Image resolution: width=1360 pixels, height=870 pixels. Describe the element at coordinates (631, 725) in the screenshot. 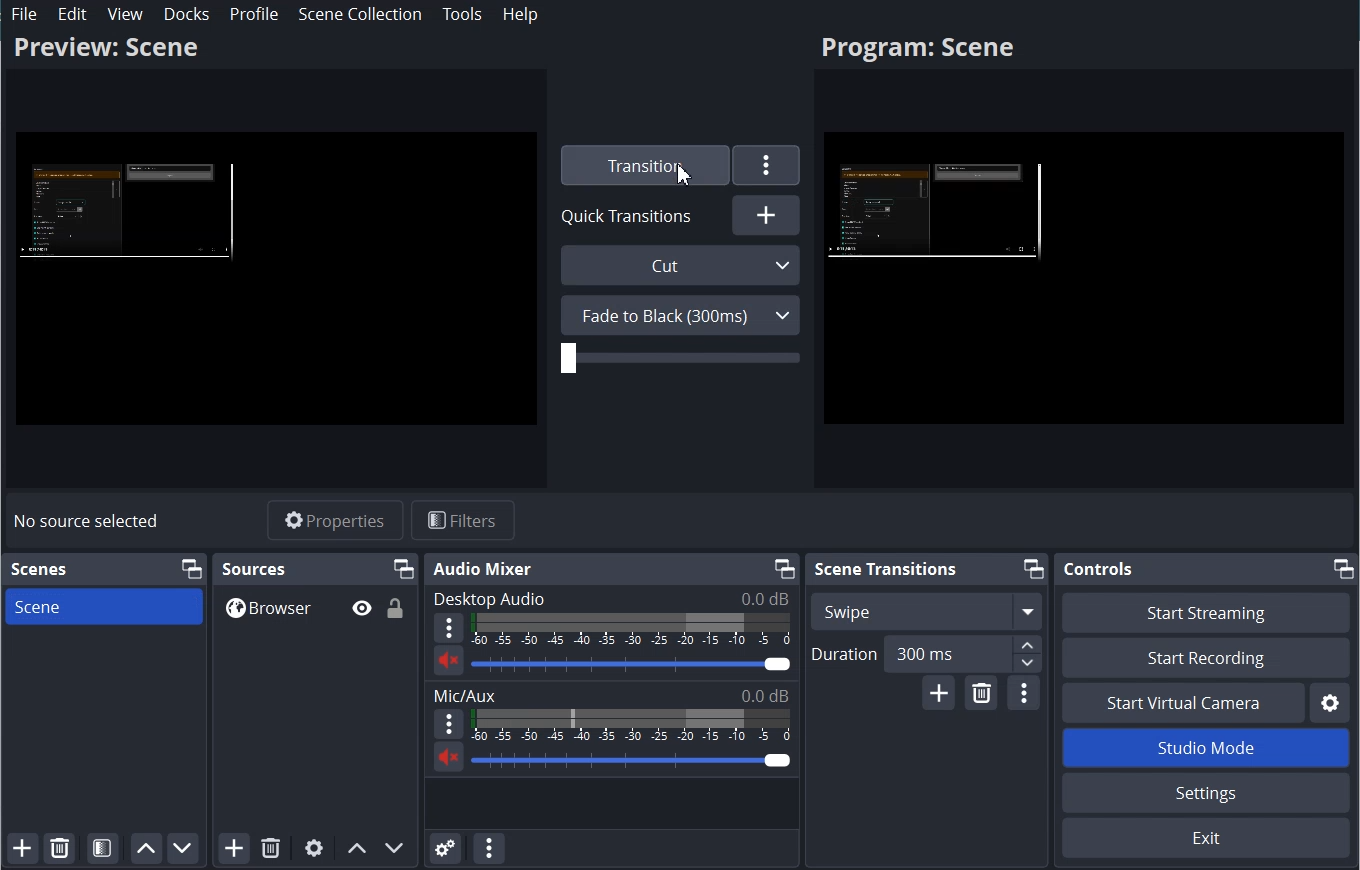

I see `Sound Indicator` at that location.